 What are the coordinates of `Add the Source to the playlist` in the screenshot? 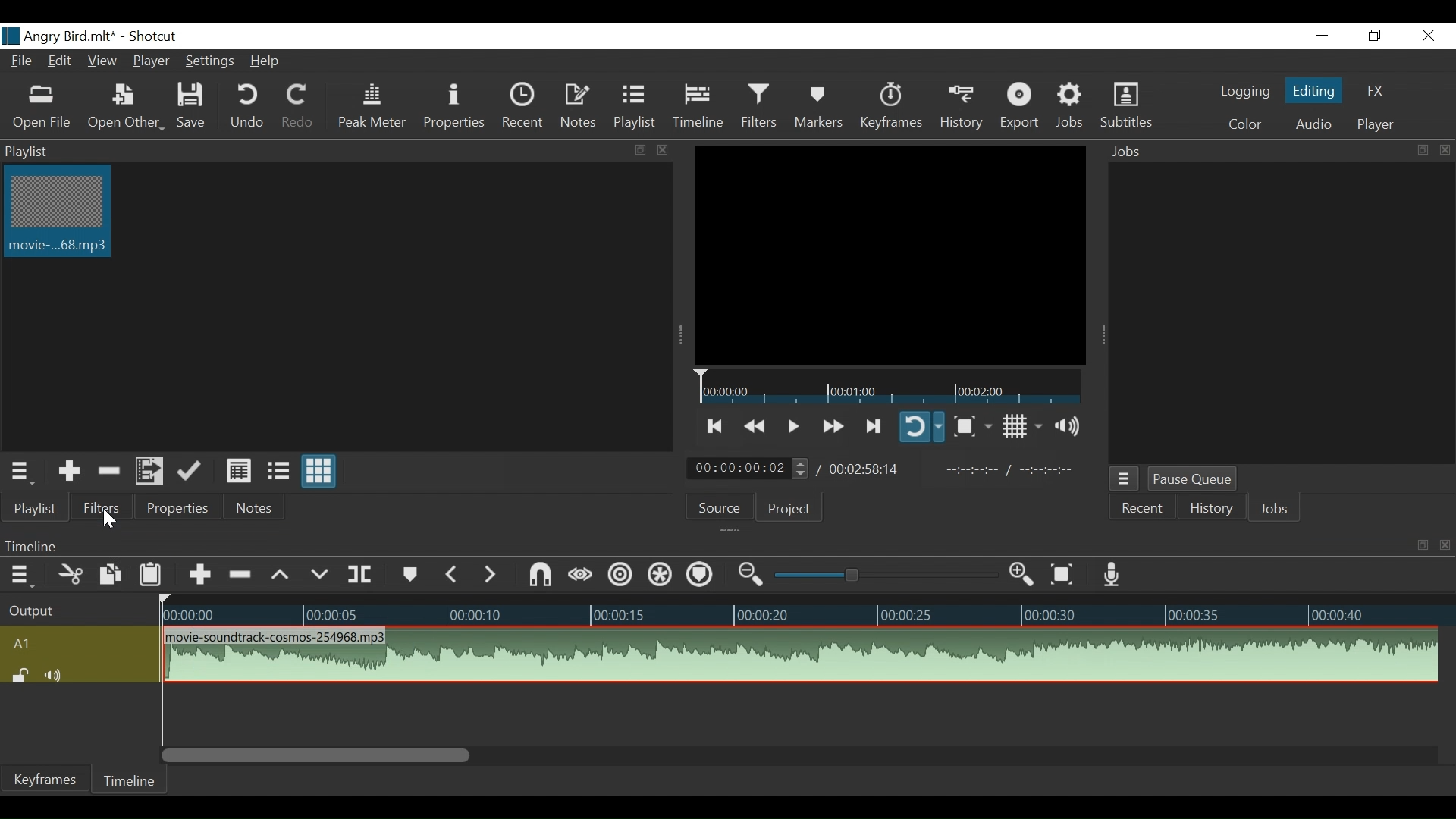 It's located at (70, 472).